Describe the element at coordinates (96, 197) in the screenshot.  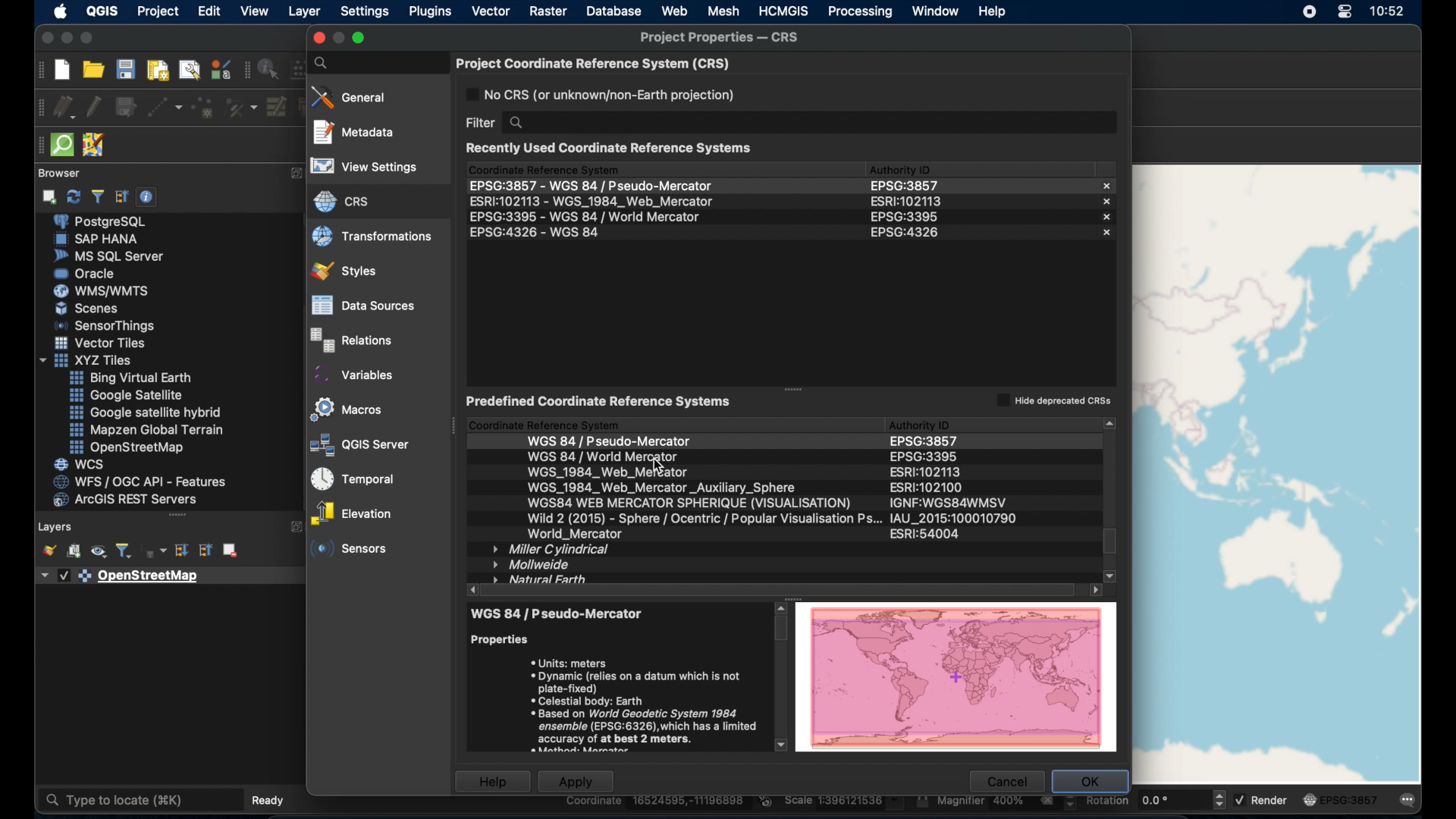
I see `filter browser` at that location.